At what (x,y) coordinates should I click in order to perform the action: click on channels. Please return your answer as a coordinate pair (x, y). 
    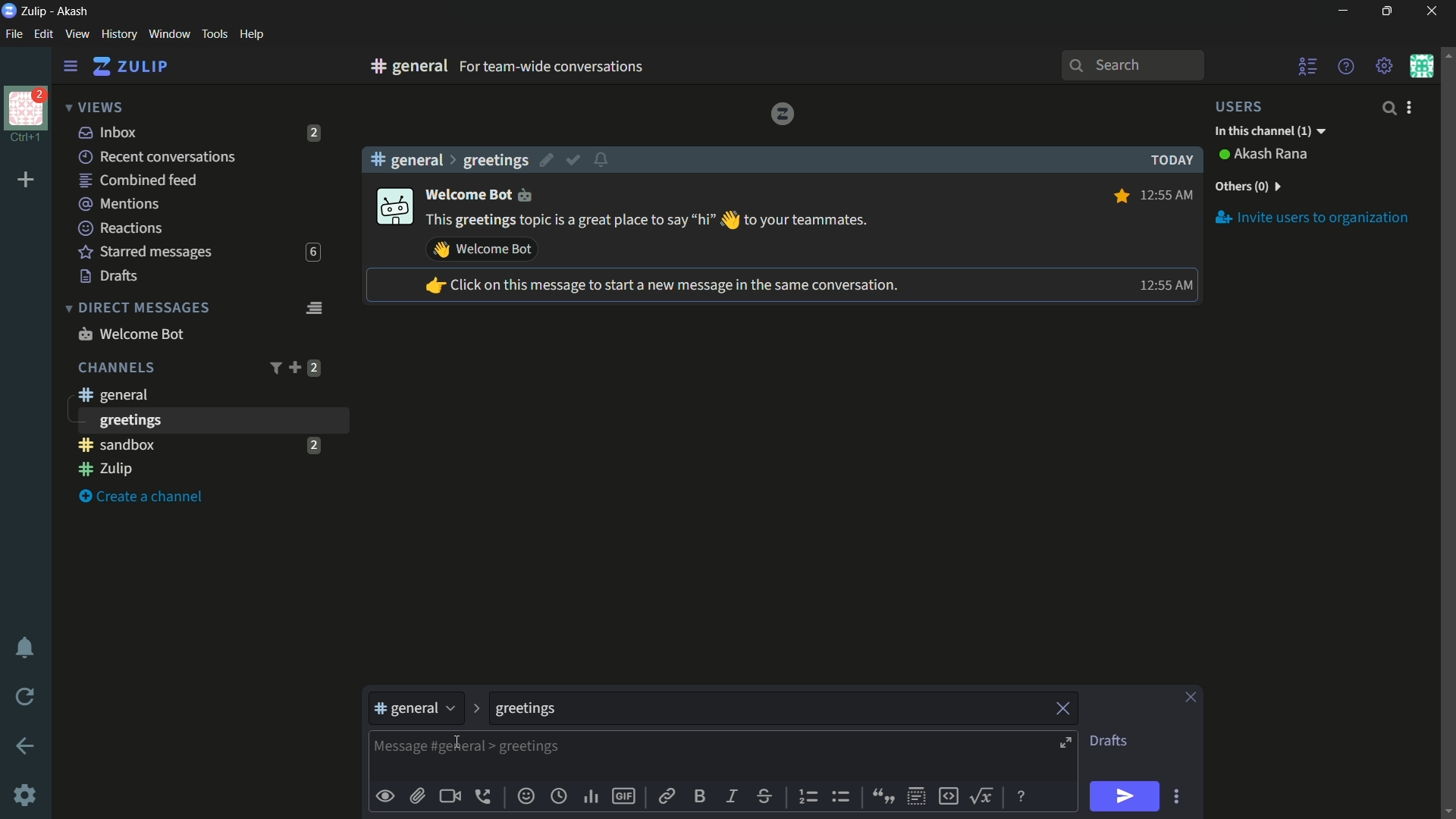
    Looking at the image, I should click on (115, 368).